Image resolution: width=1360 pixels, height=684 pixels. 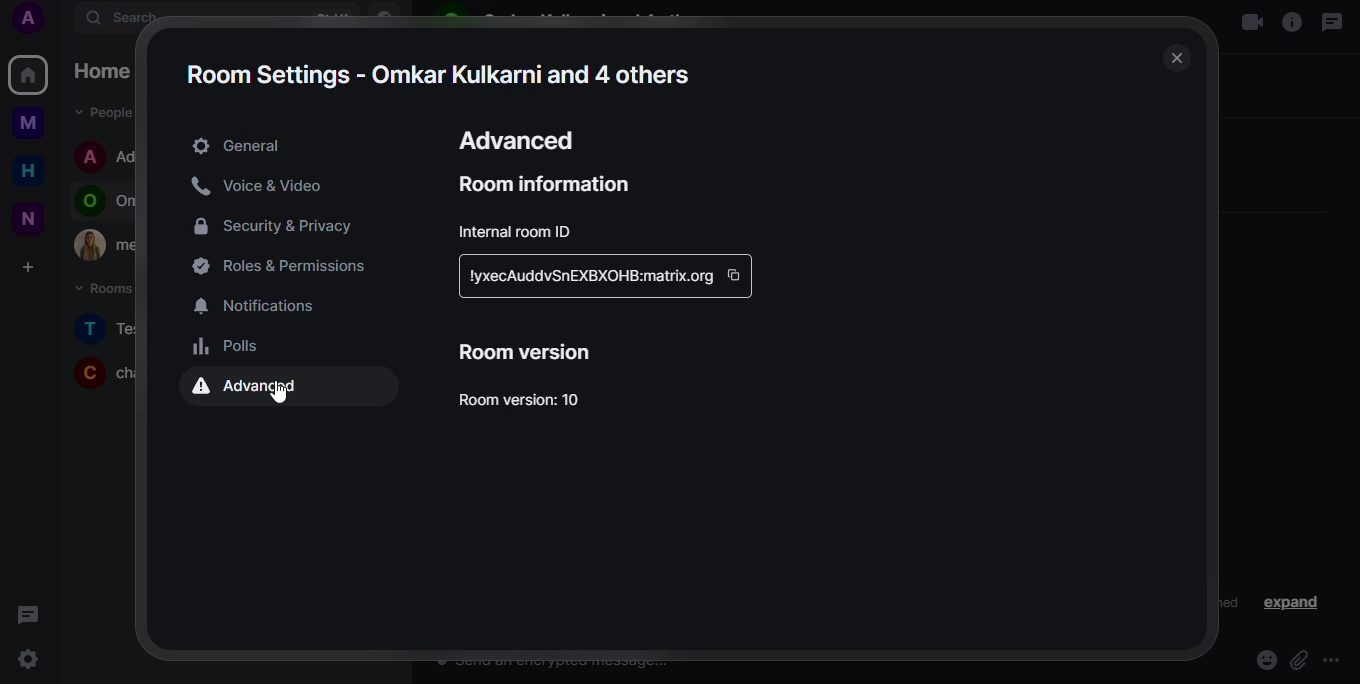 I want to click on roles, so click(x=287, y=268).